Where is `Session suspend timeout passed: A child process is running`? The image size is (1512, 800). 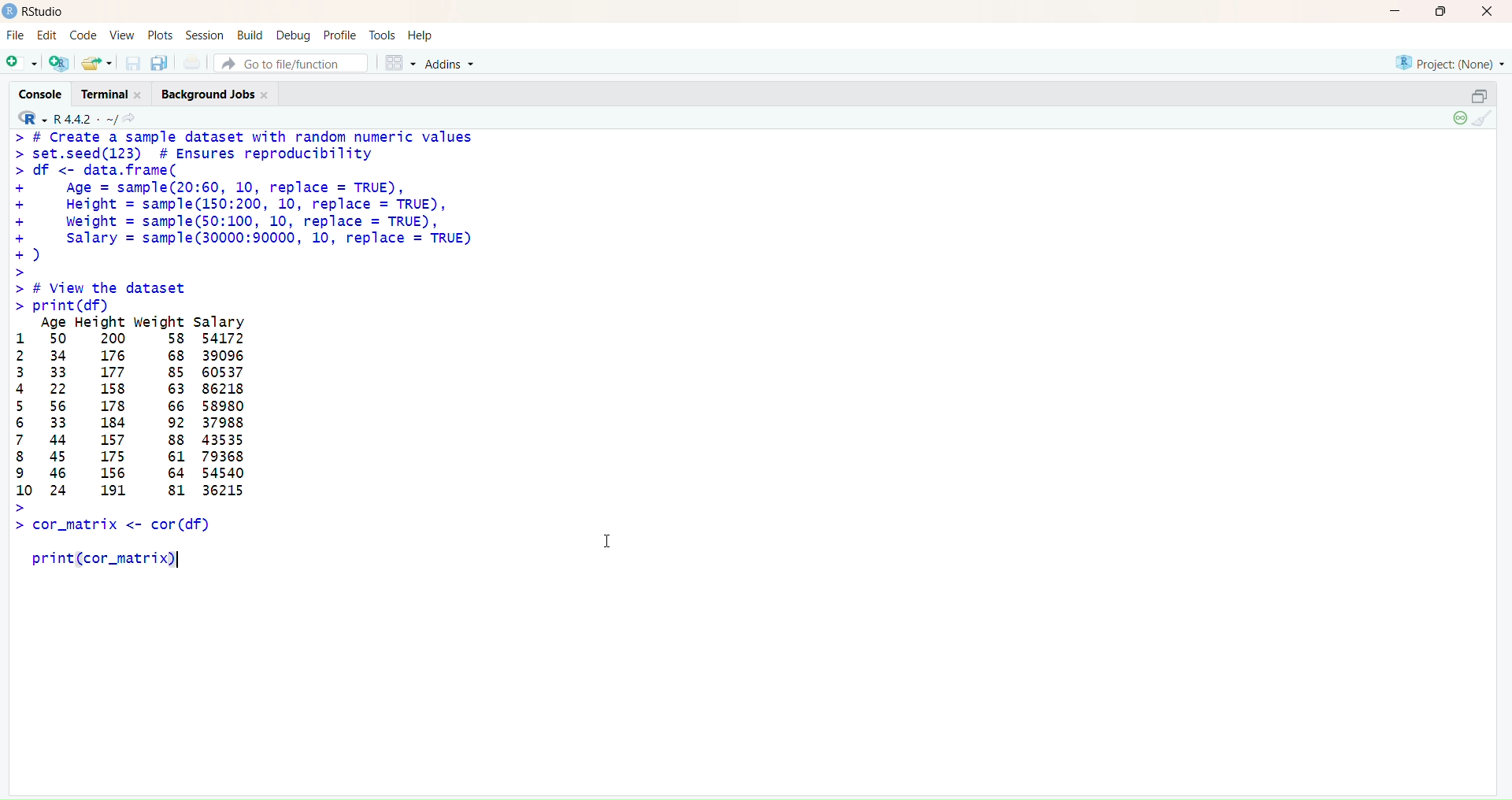
Session suspend timeout passed: A child process is running is located at coordinates (1458, 119).